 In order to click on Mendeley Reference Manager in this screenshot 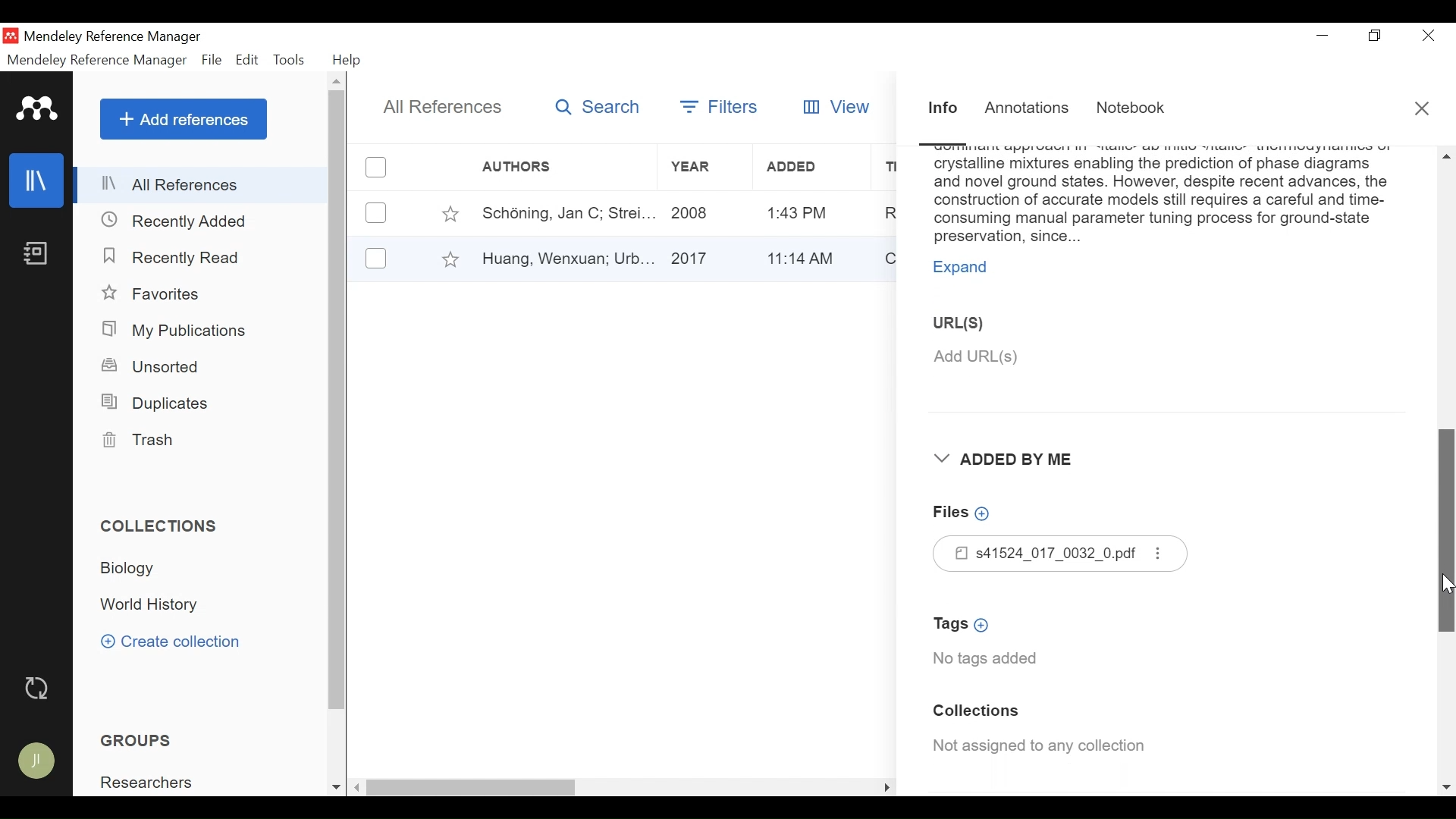, I will do `click(97, 62)`.